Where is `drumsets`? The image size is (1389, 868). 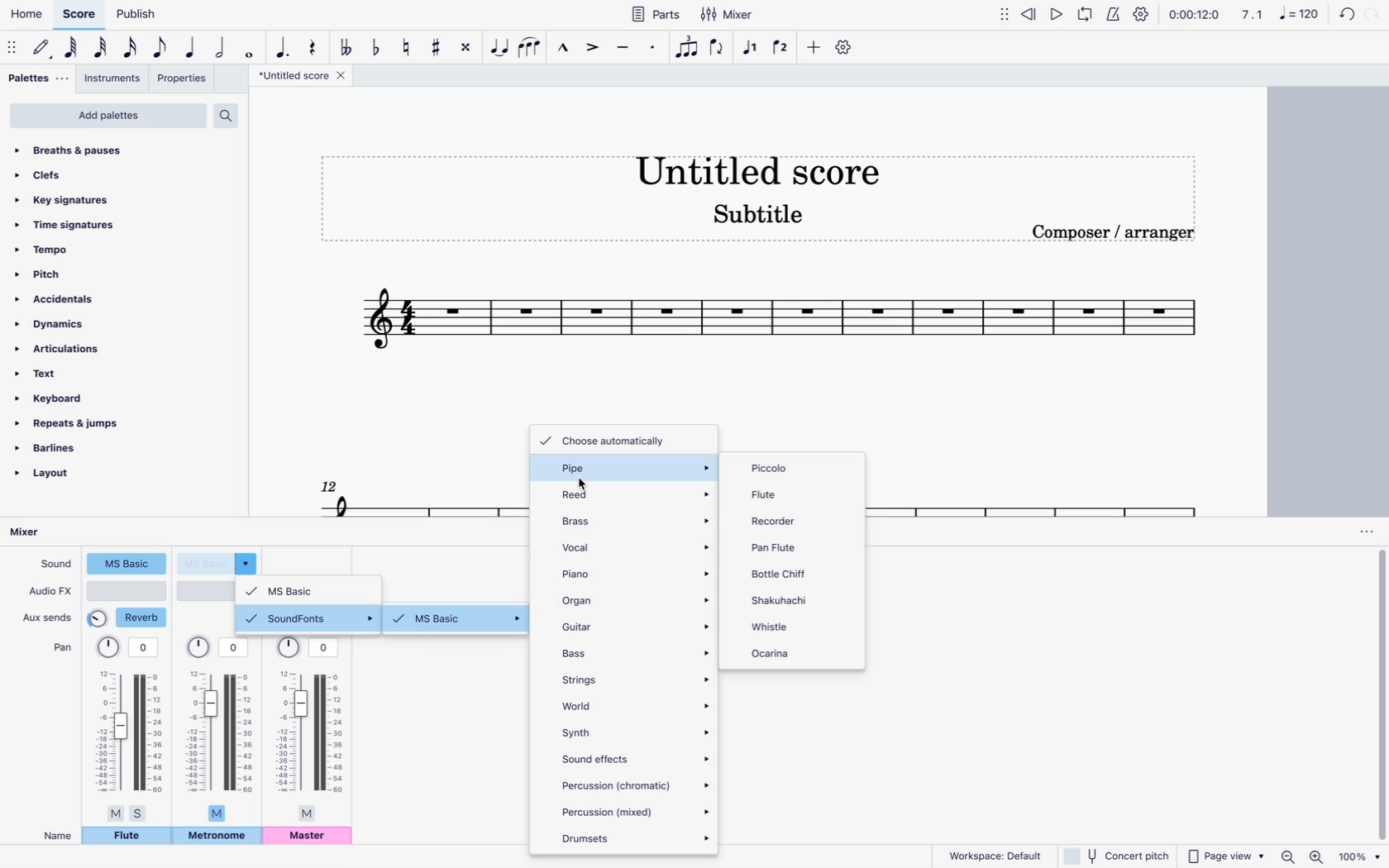 drumsets is located at coordinates (632, 838).